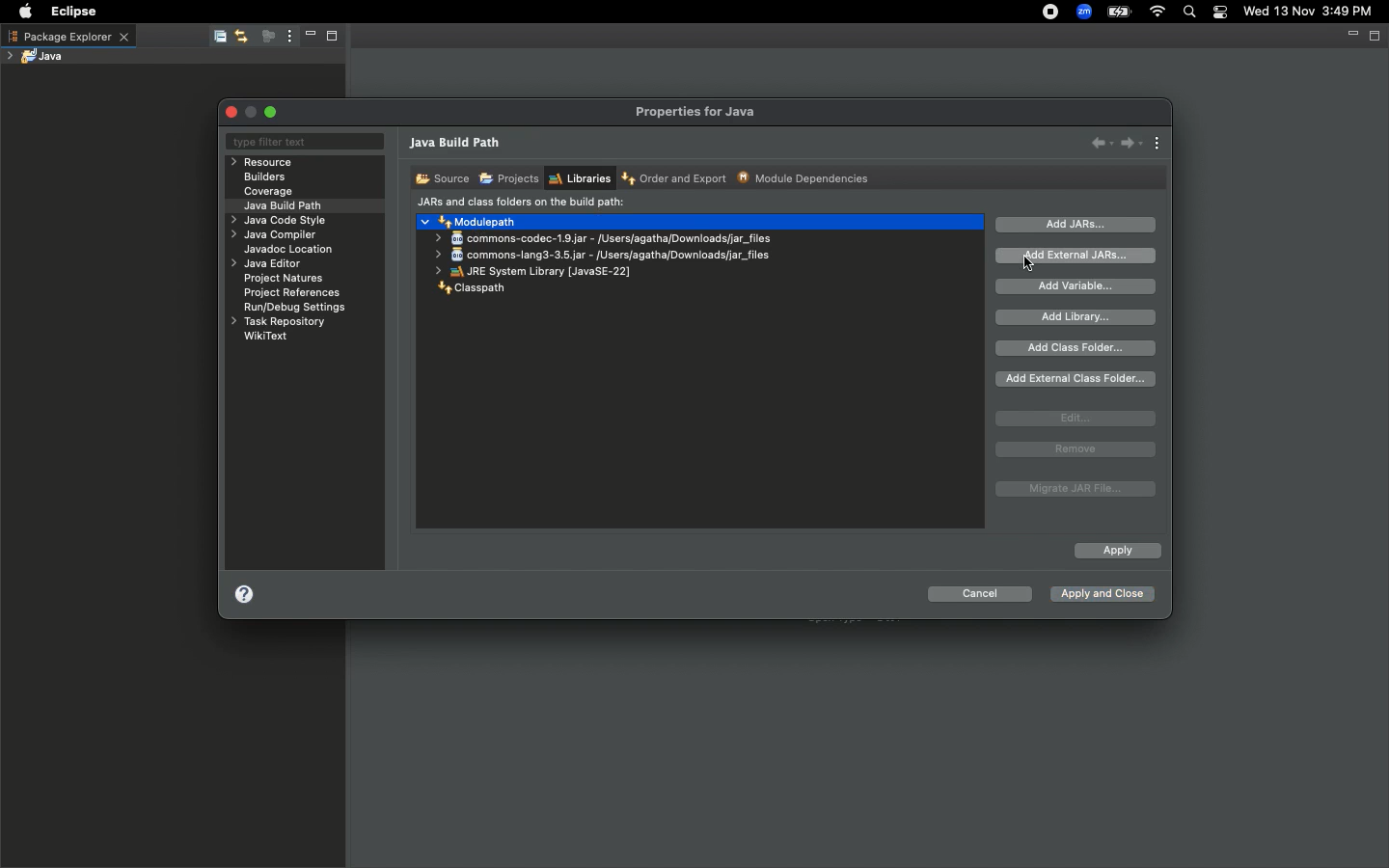  What do you see at coordinates (1309, 10) in the screenshot?
I see `Wed 13 Nov 3:49 PM` at bounding box center [1309, 10].